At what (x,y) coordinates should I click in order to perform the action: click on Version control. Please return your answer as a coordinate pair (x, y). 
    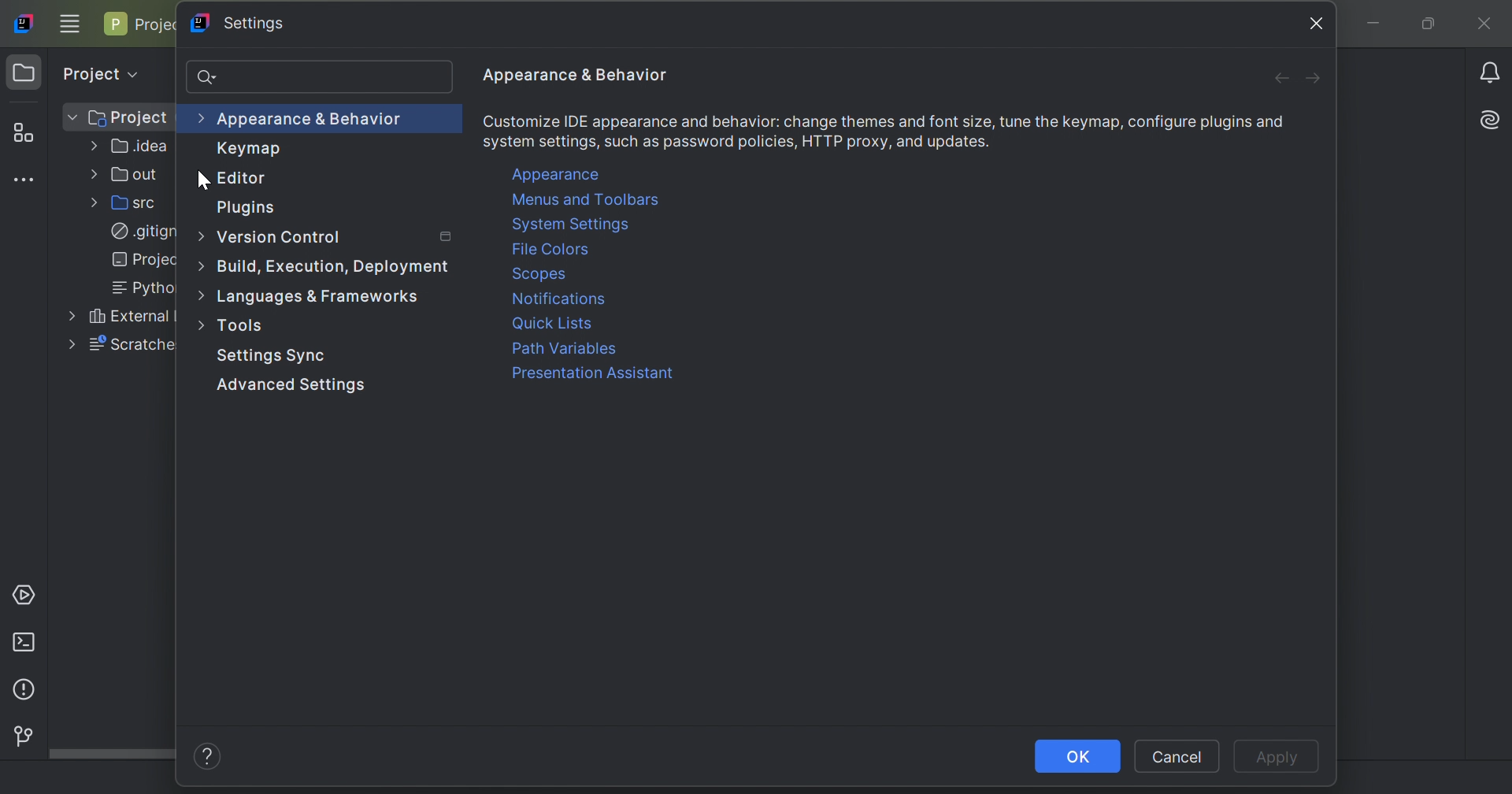
    Looking at the image, I should click on (20, 734).